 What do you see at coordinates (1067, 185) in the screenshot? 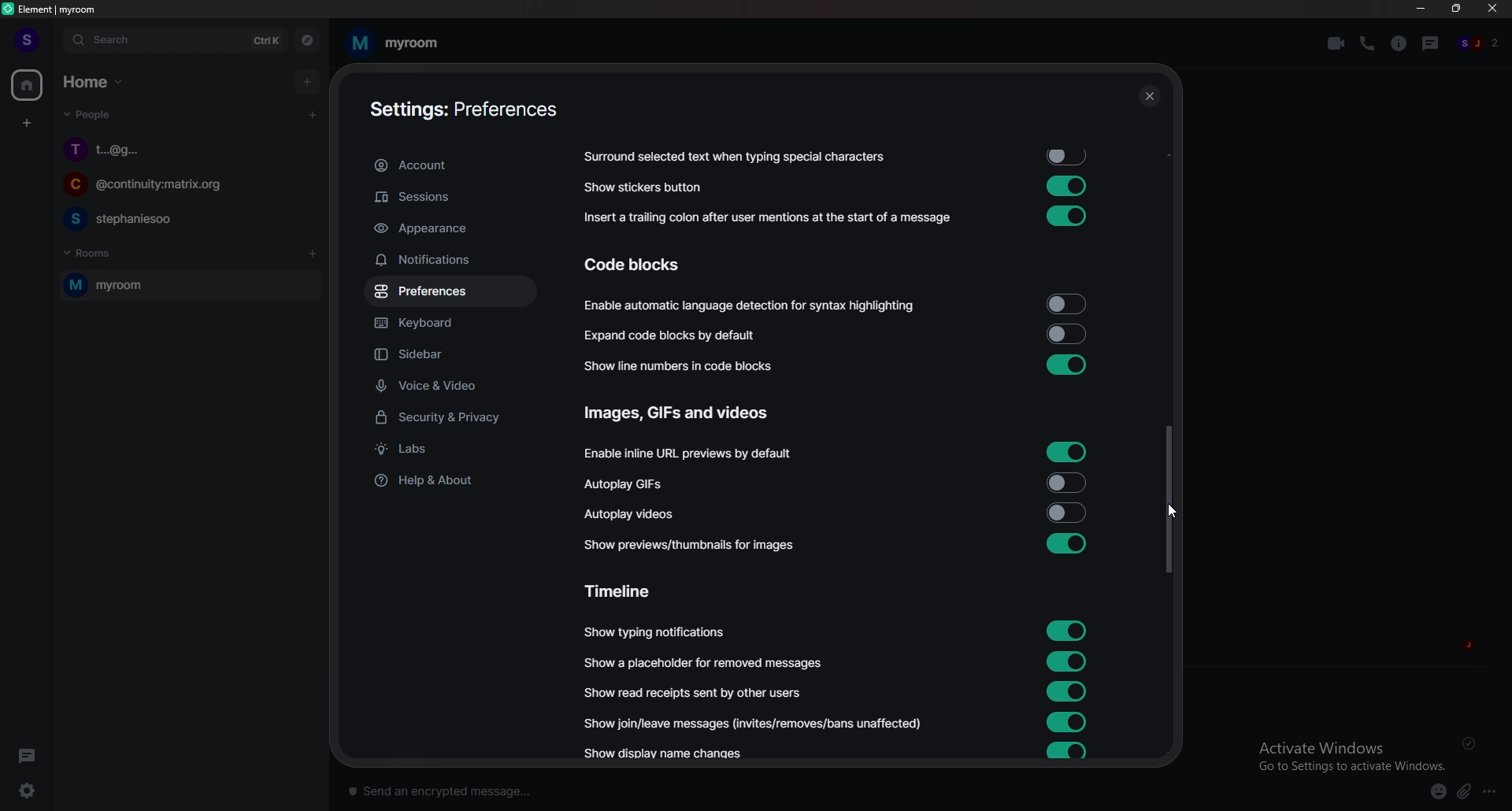
I see `toggle` at bounding box center [1067, 185].